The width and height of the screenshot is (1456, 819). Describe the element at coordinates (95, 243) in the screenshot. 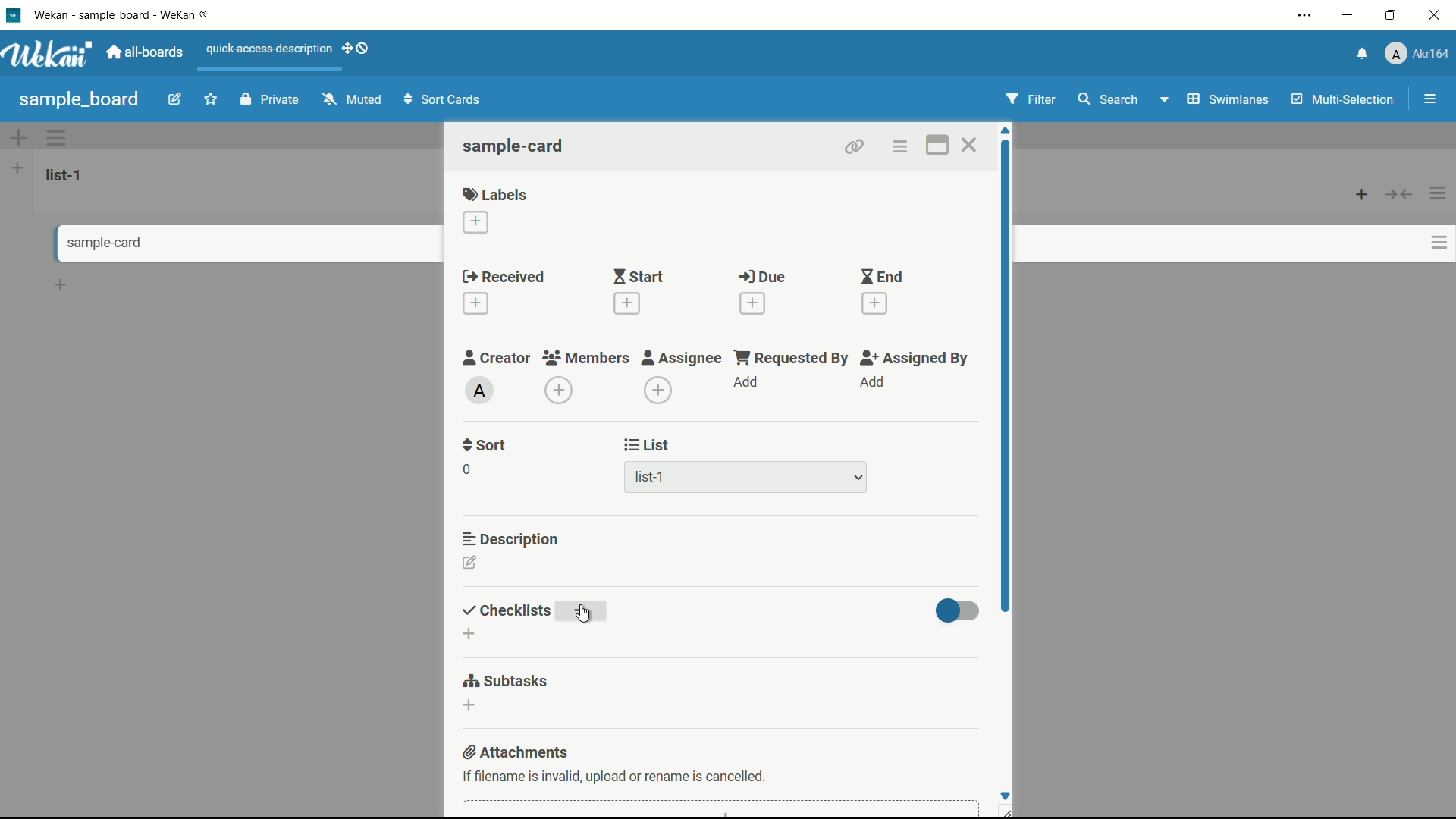

I see `card name` at that location.